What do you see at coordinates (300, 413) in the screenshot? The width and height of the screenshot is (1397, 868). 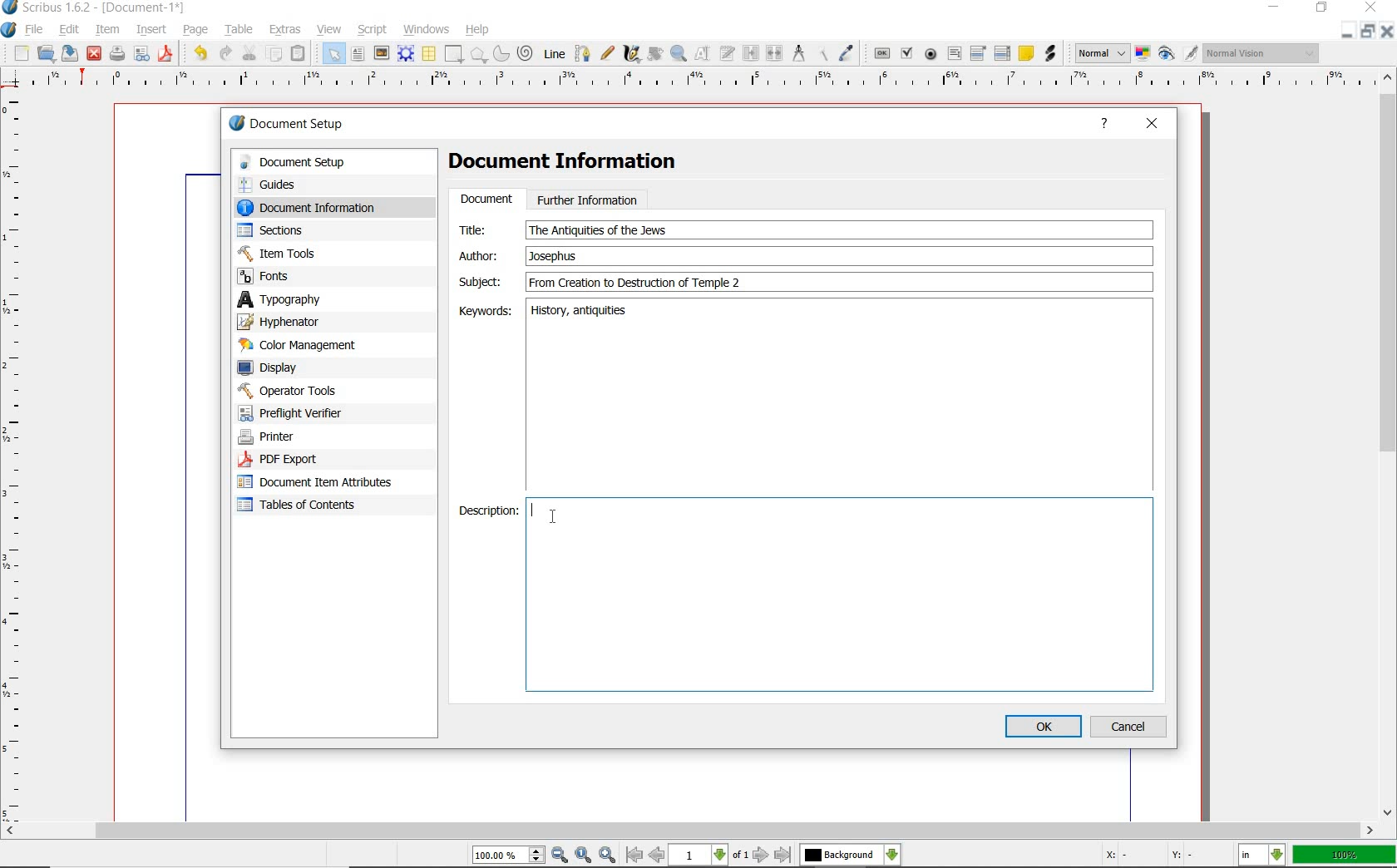 I see `preflight verifier` at bounding box center [300, 413].